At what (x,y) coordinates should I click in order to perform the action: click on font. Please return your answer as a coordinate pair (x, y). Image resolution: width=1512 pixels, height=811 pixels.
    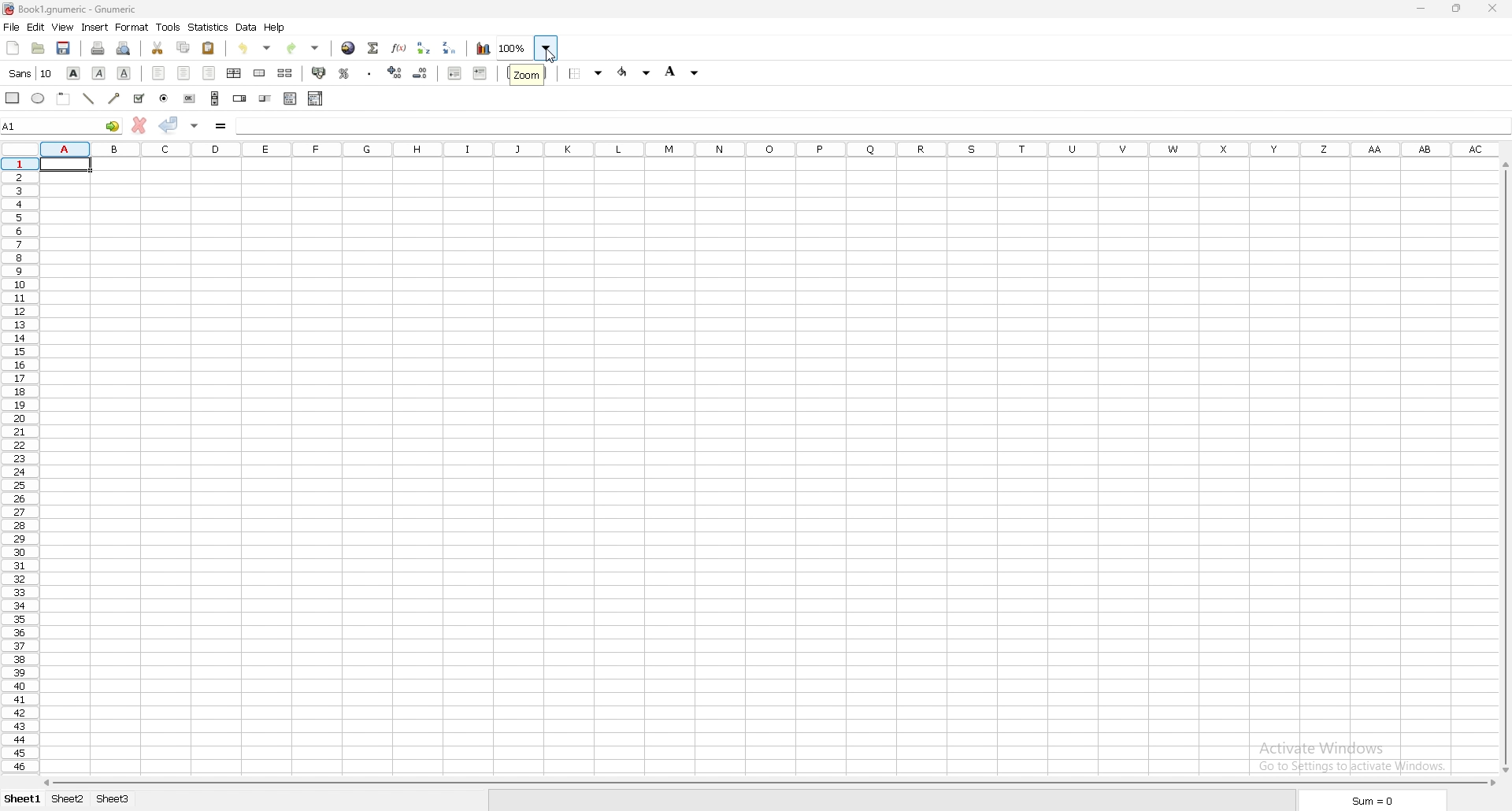
    Looking at the image, I should click on (32, 73).